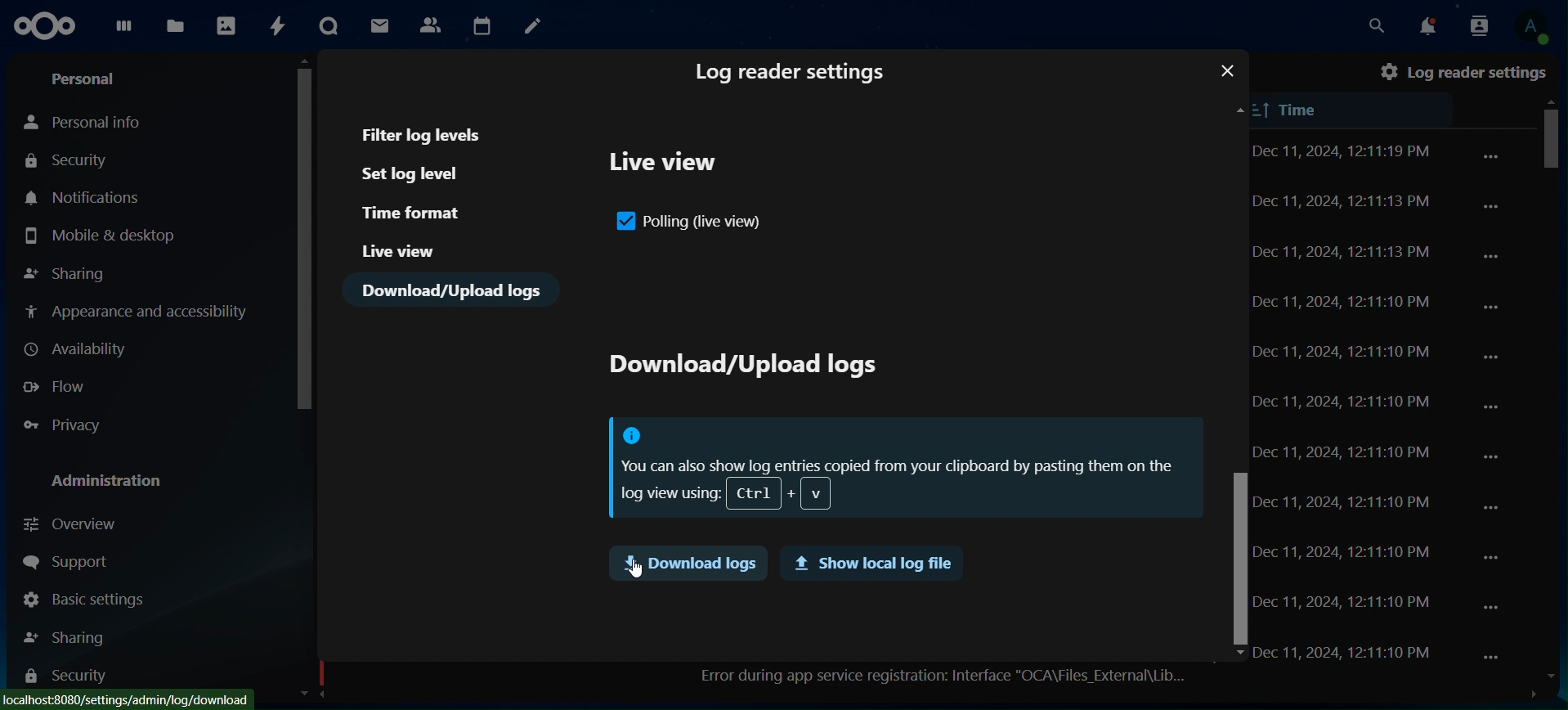 The width and height of the screenshot is (1568, 710). Describe the element at coordinates (399, 250) in the screenshot. I see `live view` at that location.